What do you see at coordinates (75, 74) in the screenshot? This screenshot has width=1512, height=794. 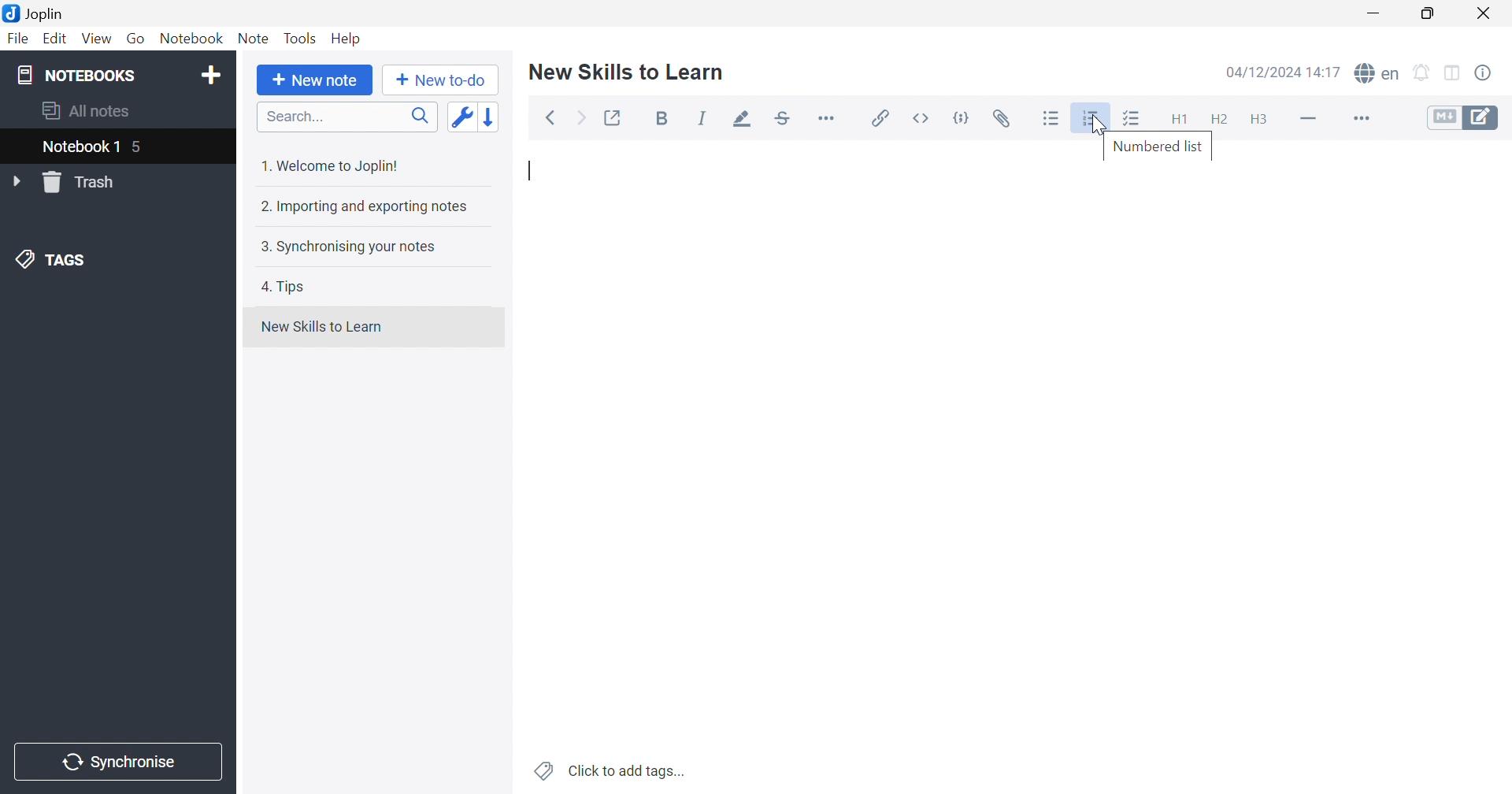 I see `NOTEBOOKS` at bounding box center [75, 74].